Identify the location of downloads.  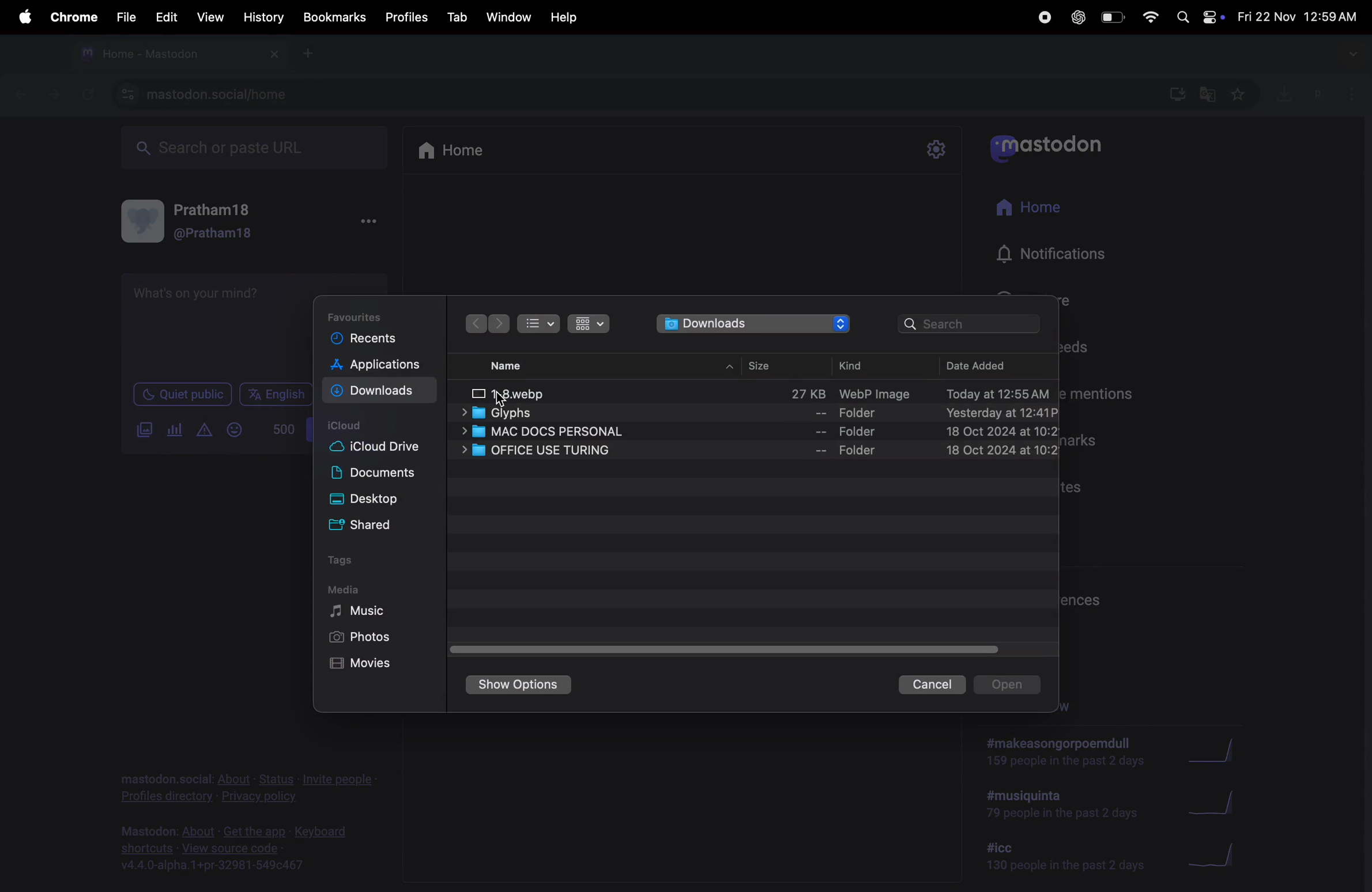
(1175, 96).